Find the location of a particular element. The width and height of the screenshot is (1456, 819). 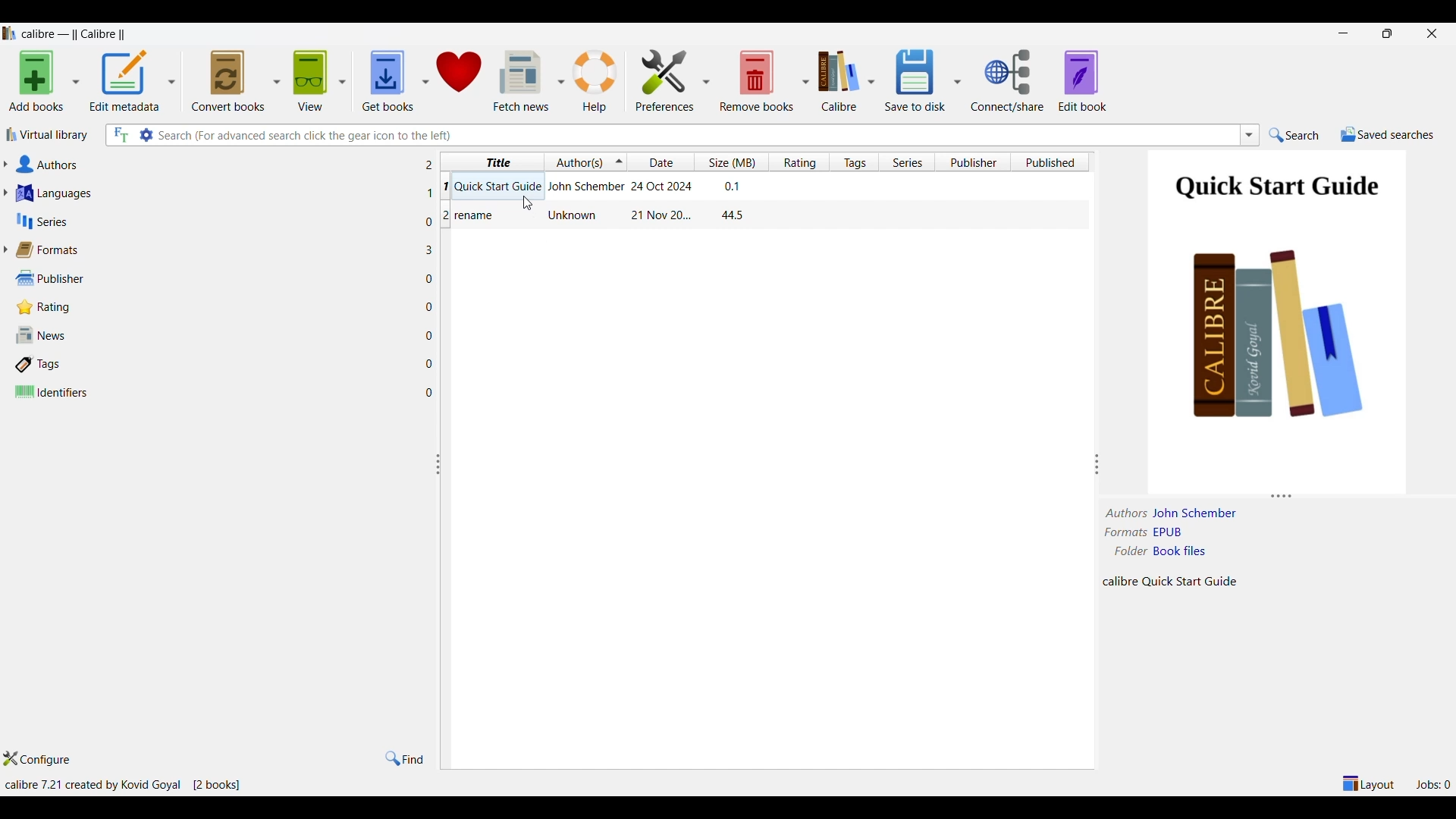

Publisher is located at coordinates (215, 278).